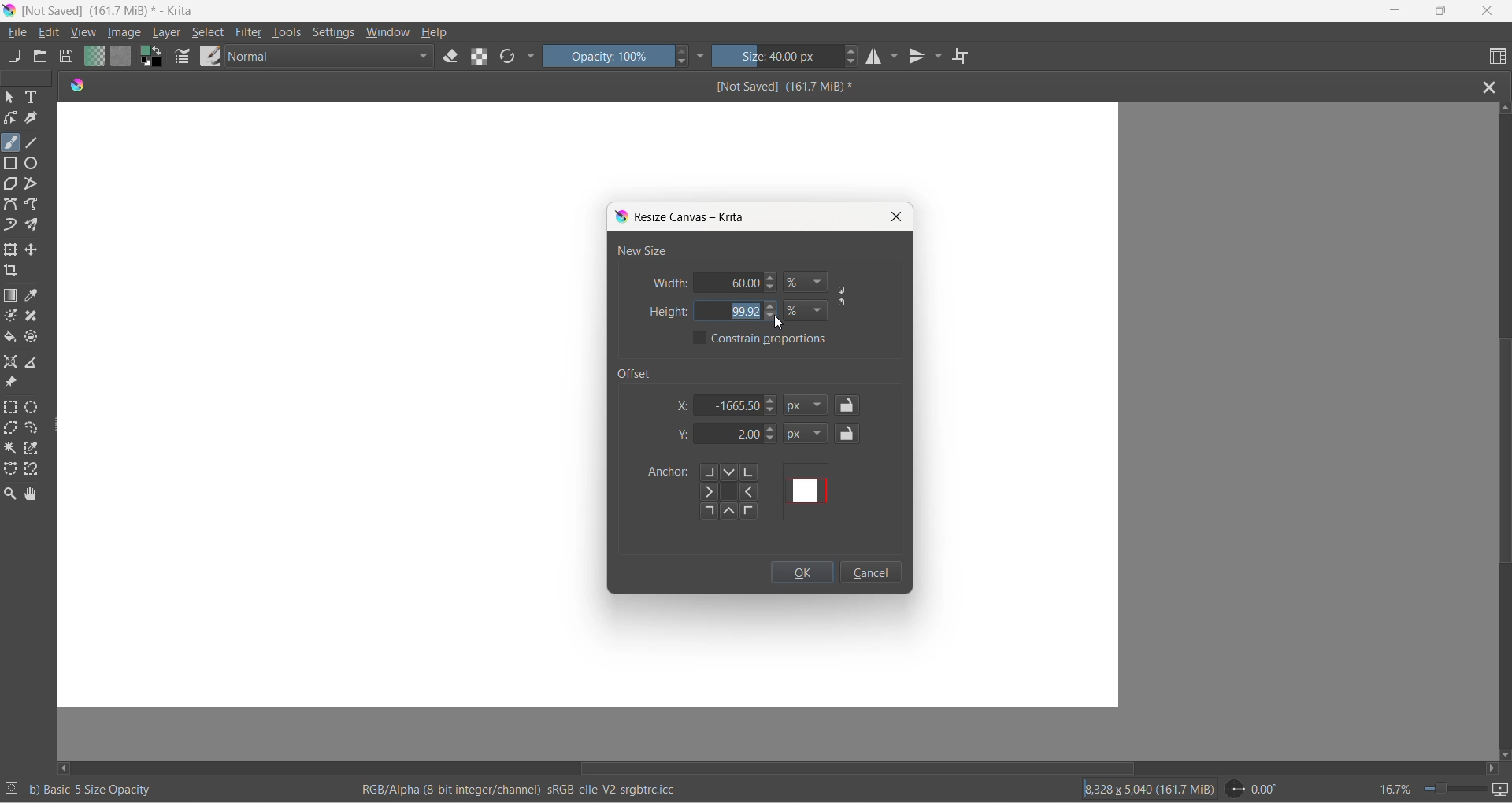 This screenshot has width=1512, height=803. I want to click on file name and size, so click(769, 87).